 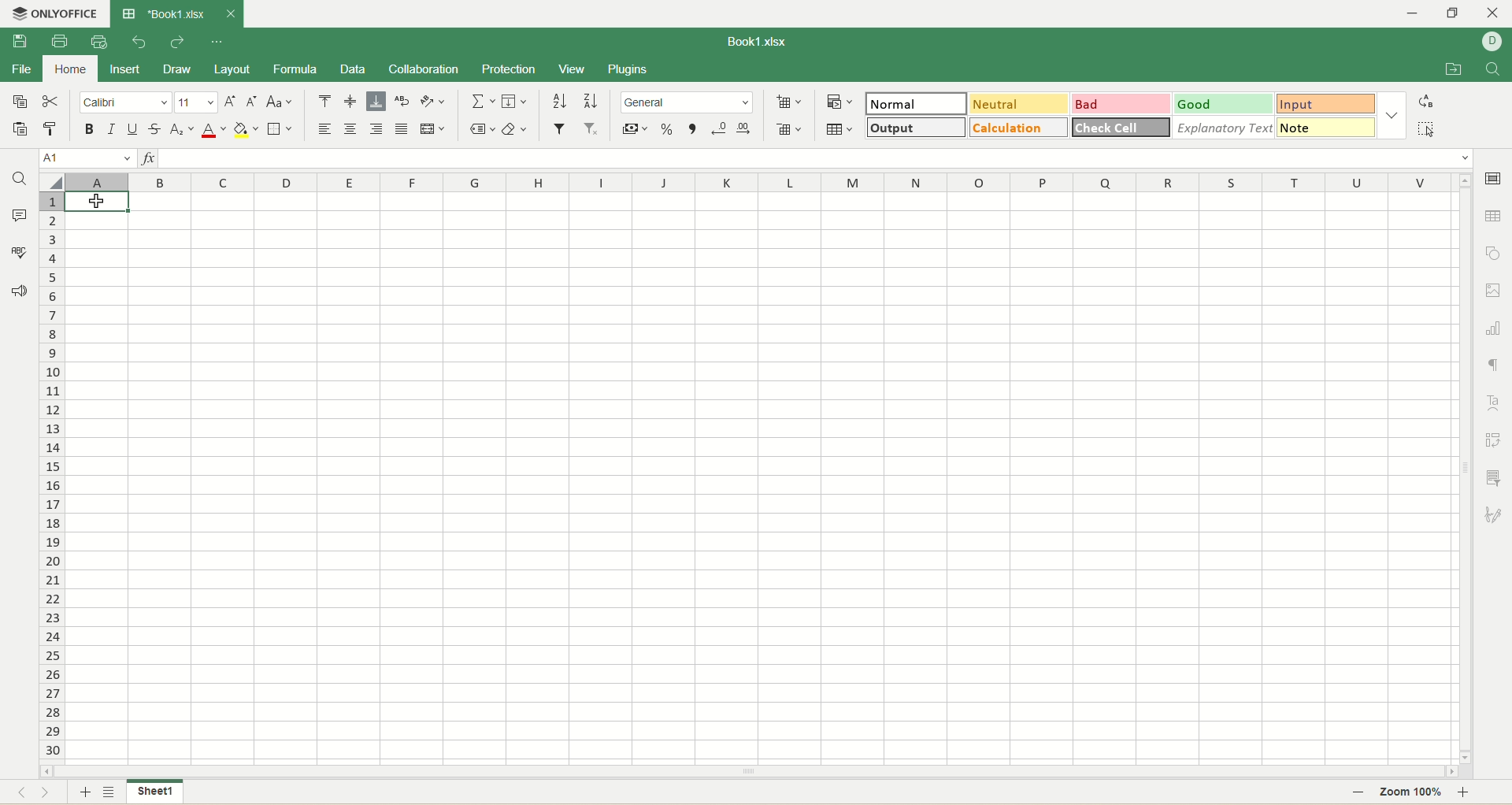 What do you see at coordinates (687, 102) in the screenshot?
I see `number format` at bounding box center [687, 102].